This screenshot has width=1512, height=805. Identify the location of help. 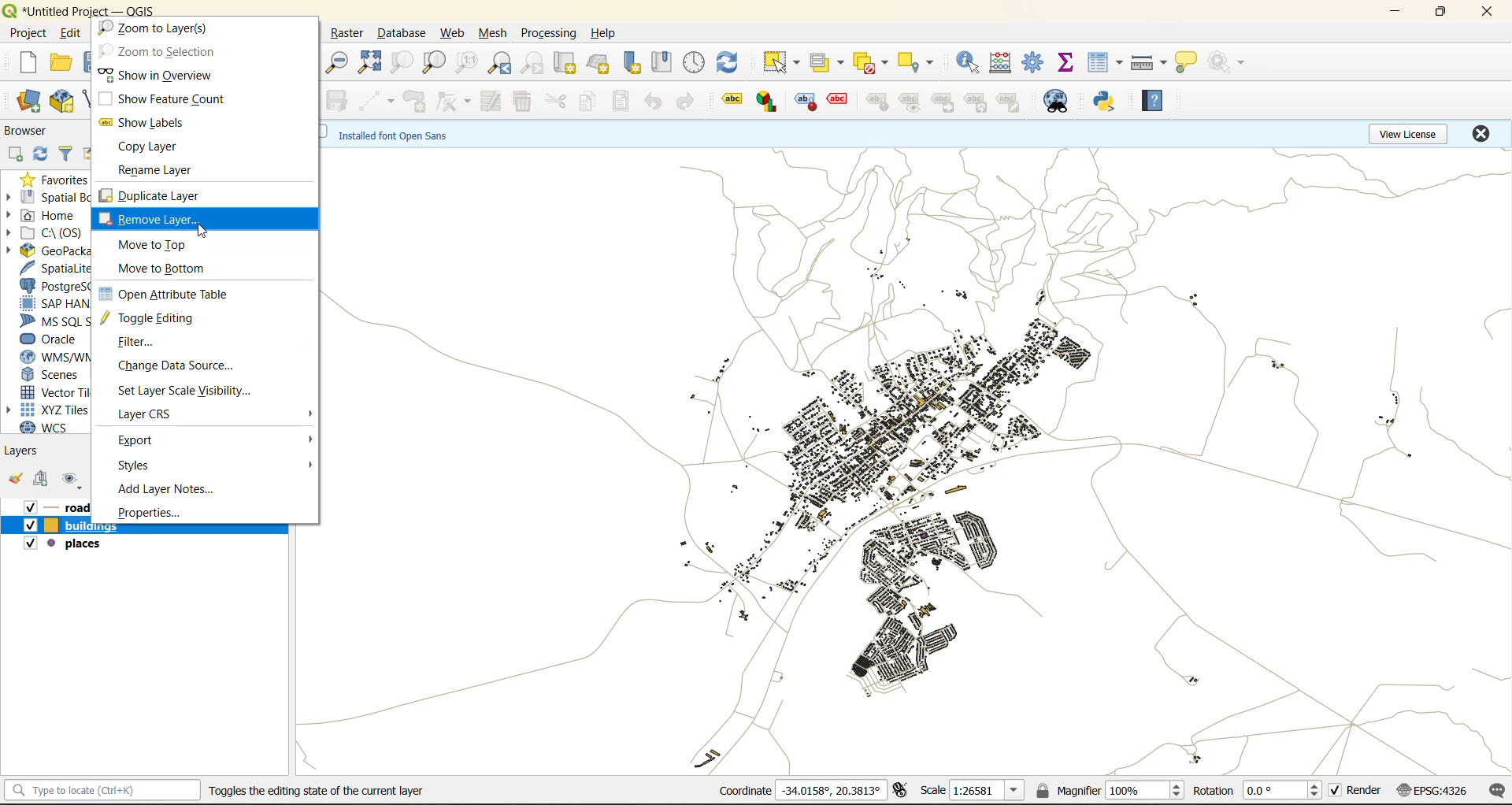
(1152, 102).